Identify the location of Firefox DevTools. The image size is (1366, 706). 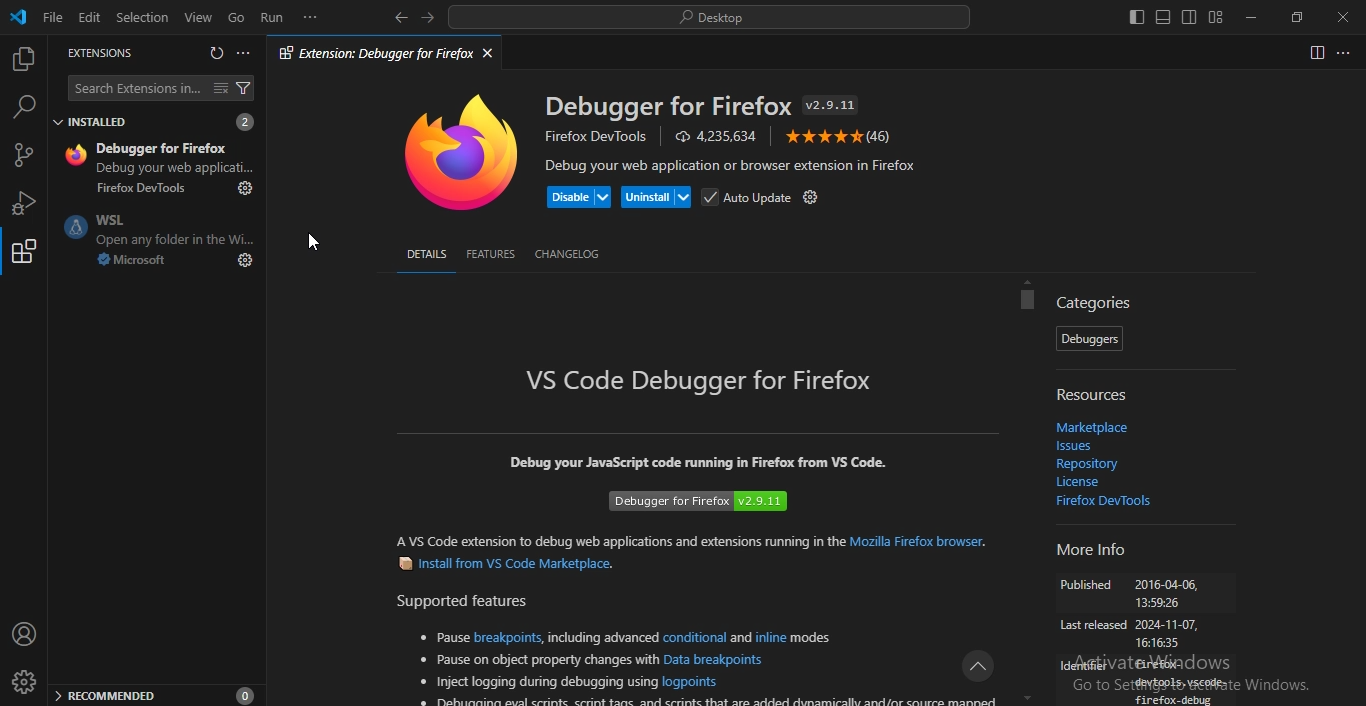
(139, 189).